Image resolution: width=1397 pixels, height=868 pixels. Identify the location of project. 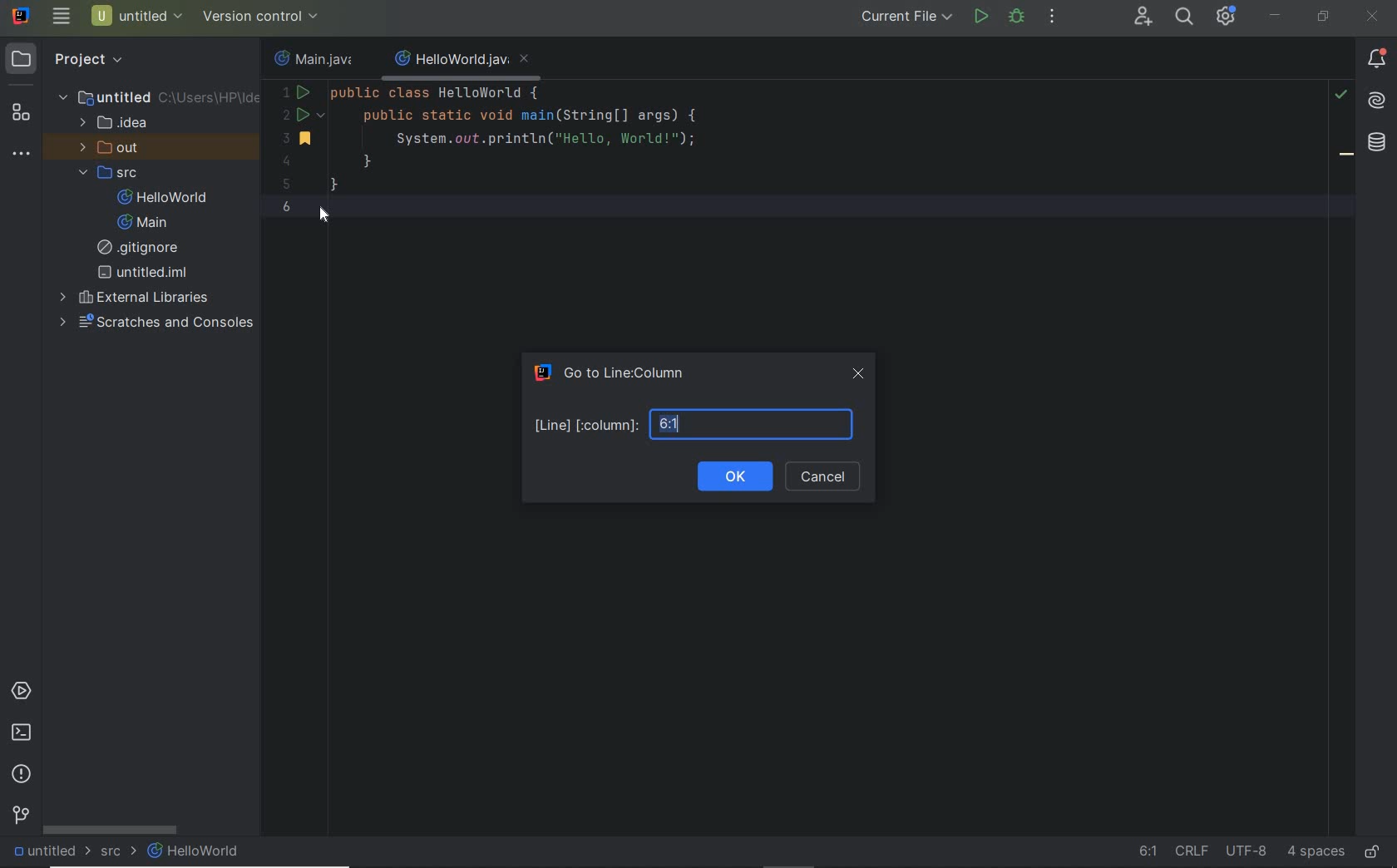
(72, 60).